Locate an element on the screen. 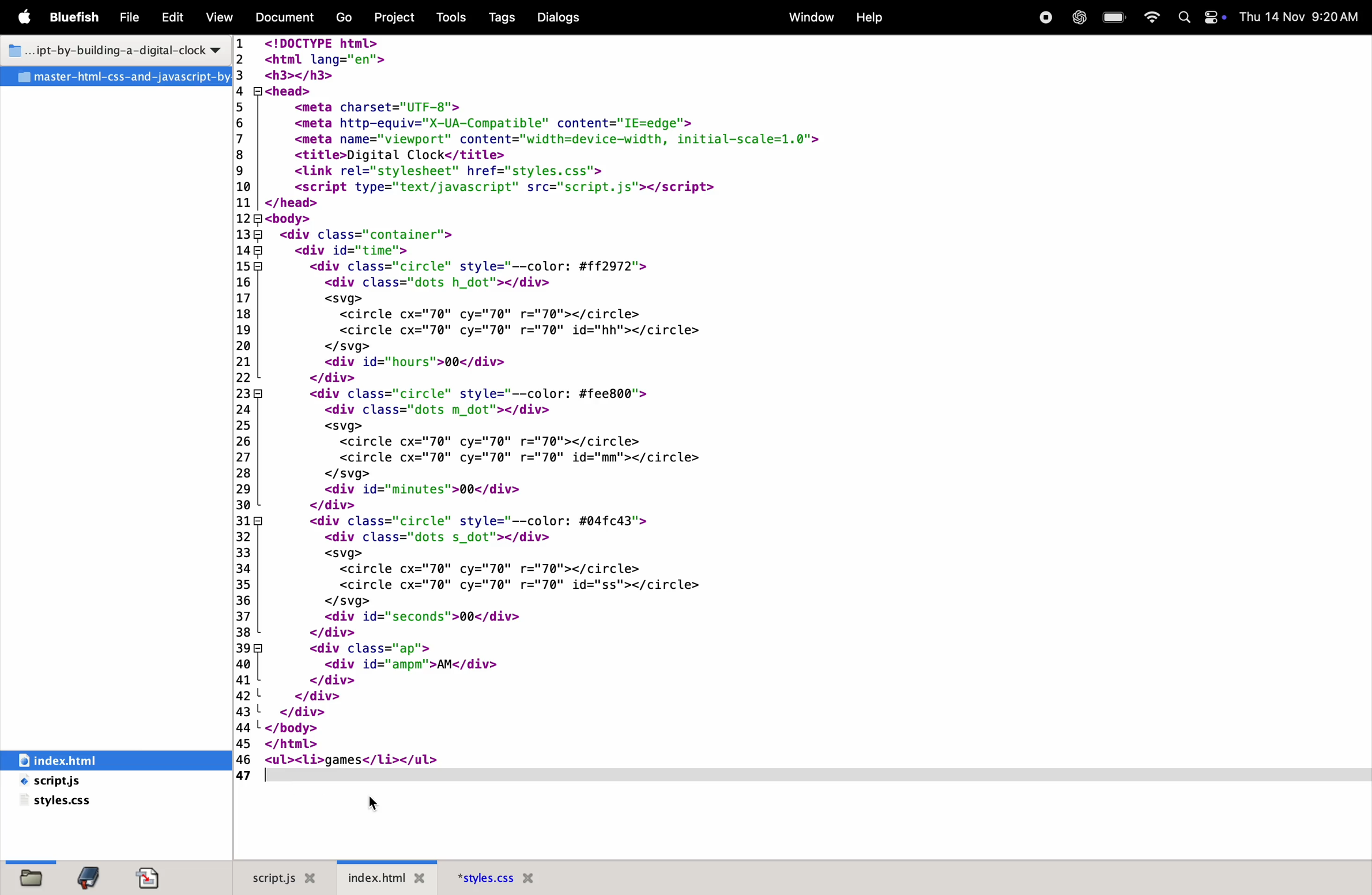 The height and width of the screenshot is (895, 1372). master is located at coordinates (115, 77).